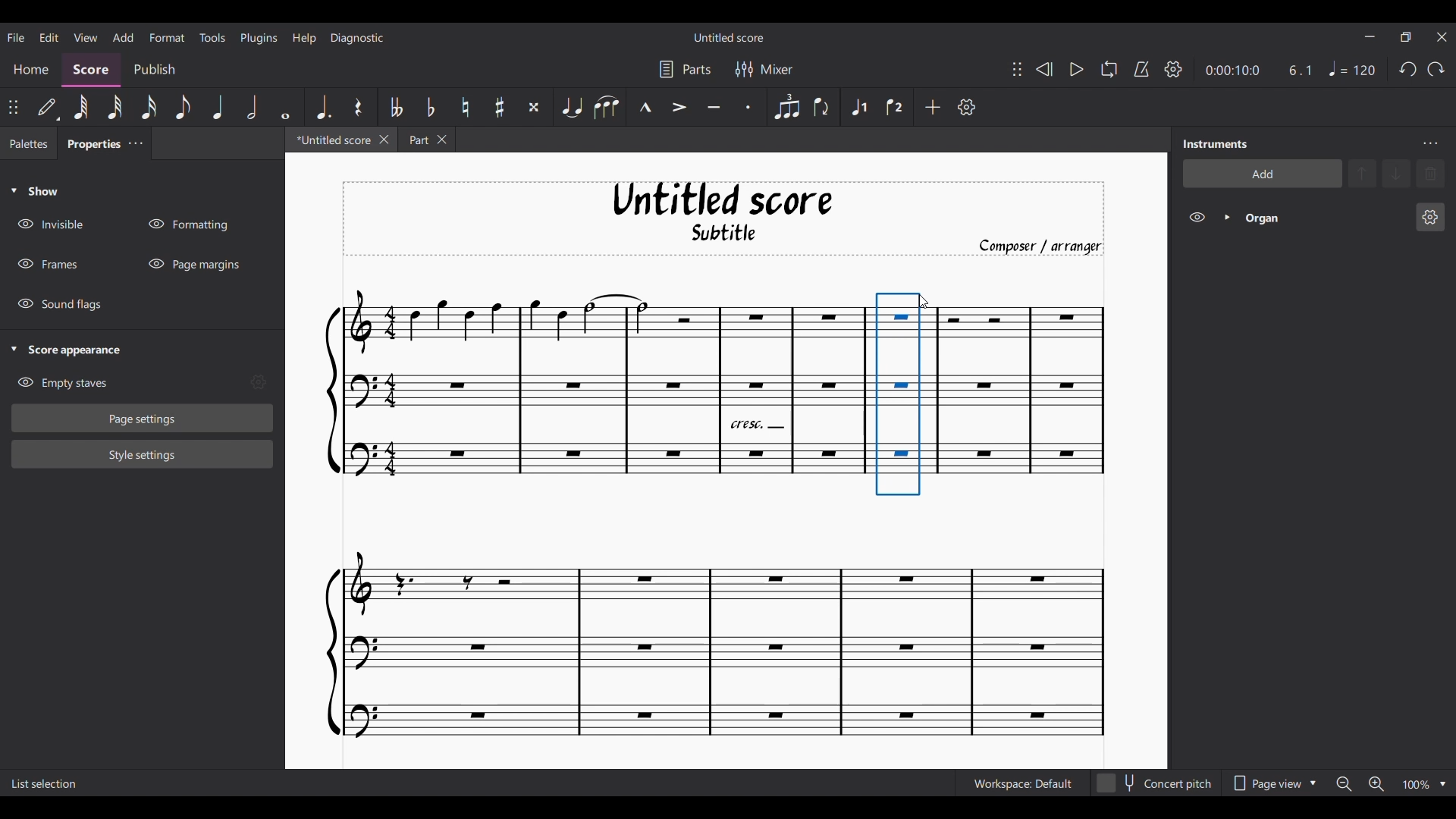 Image resolution: width=1456 pixels, height=819 pixels. What do you see at coordinates (90, 71) in the screenshot?
I see `Score section` at bounding box center [90, 71].